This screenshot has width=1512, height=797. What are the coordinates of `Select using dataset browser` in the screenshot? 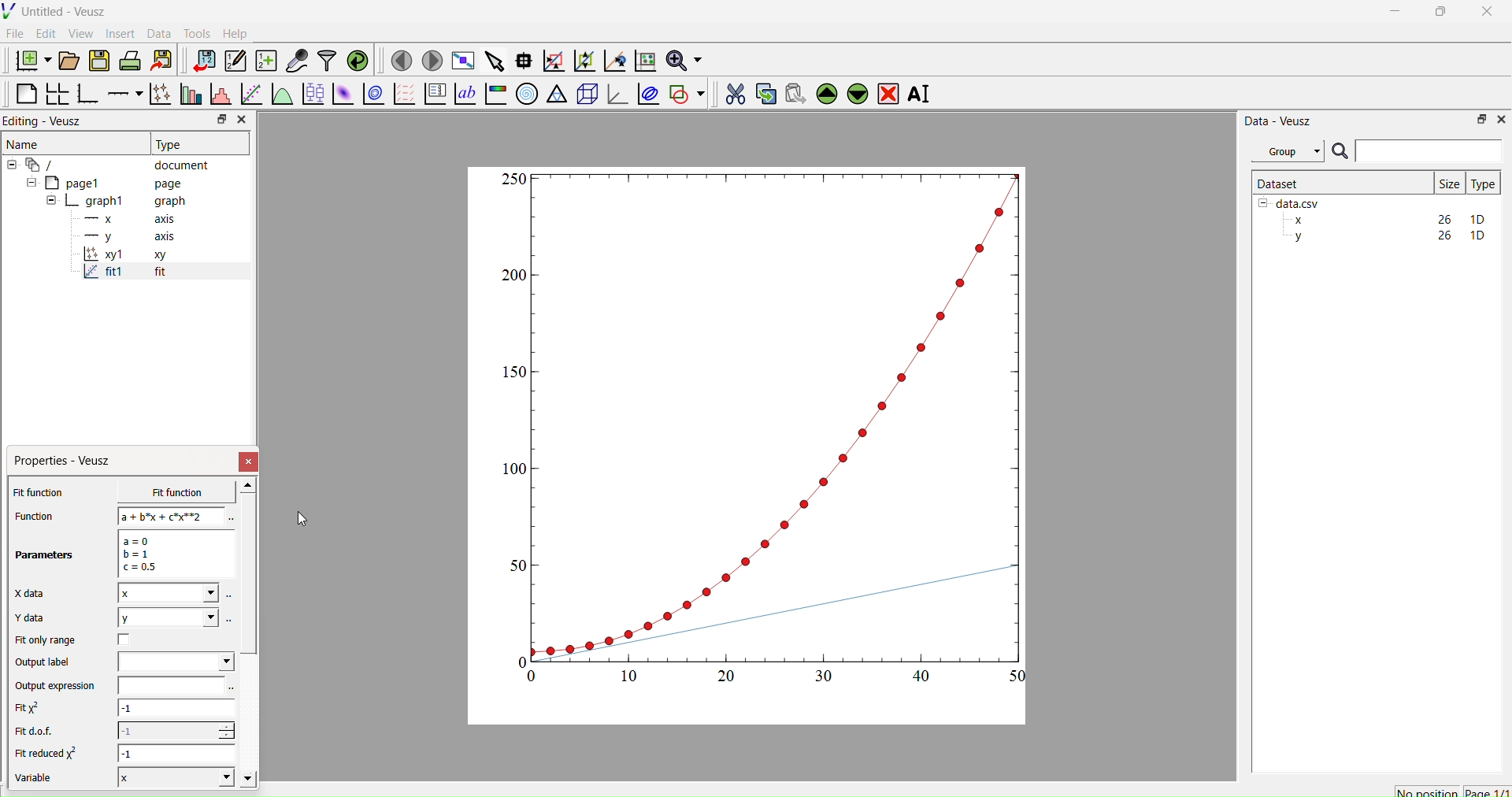 It's located at (230, 599).